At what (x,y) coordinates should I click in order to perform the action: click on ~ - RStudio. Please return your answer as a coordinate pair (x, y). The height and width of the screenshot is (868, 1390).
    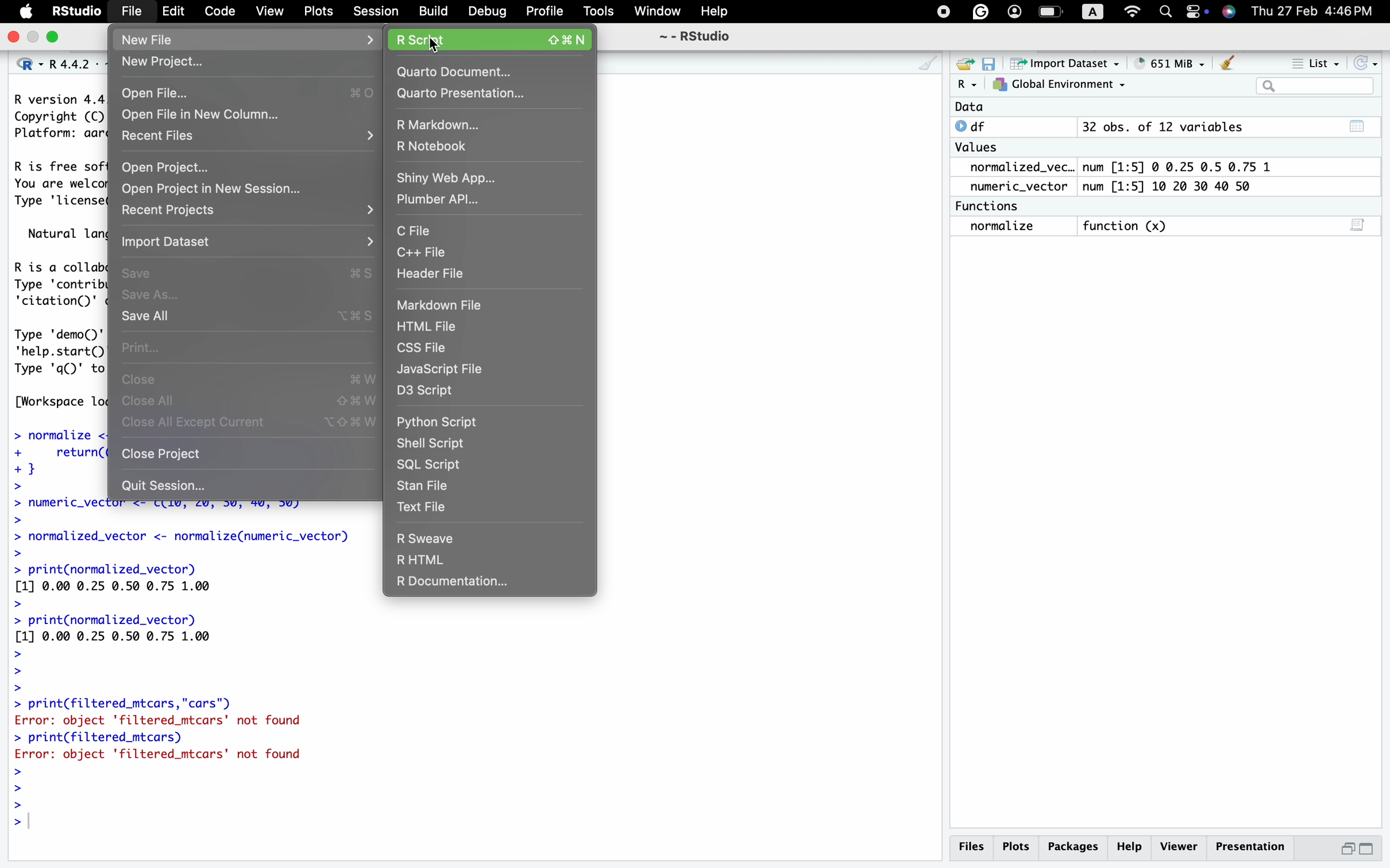
    Looking at the image, I should click on (696, 39).